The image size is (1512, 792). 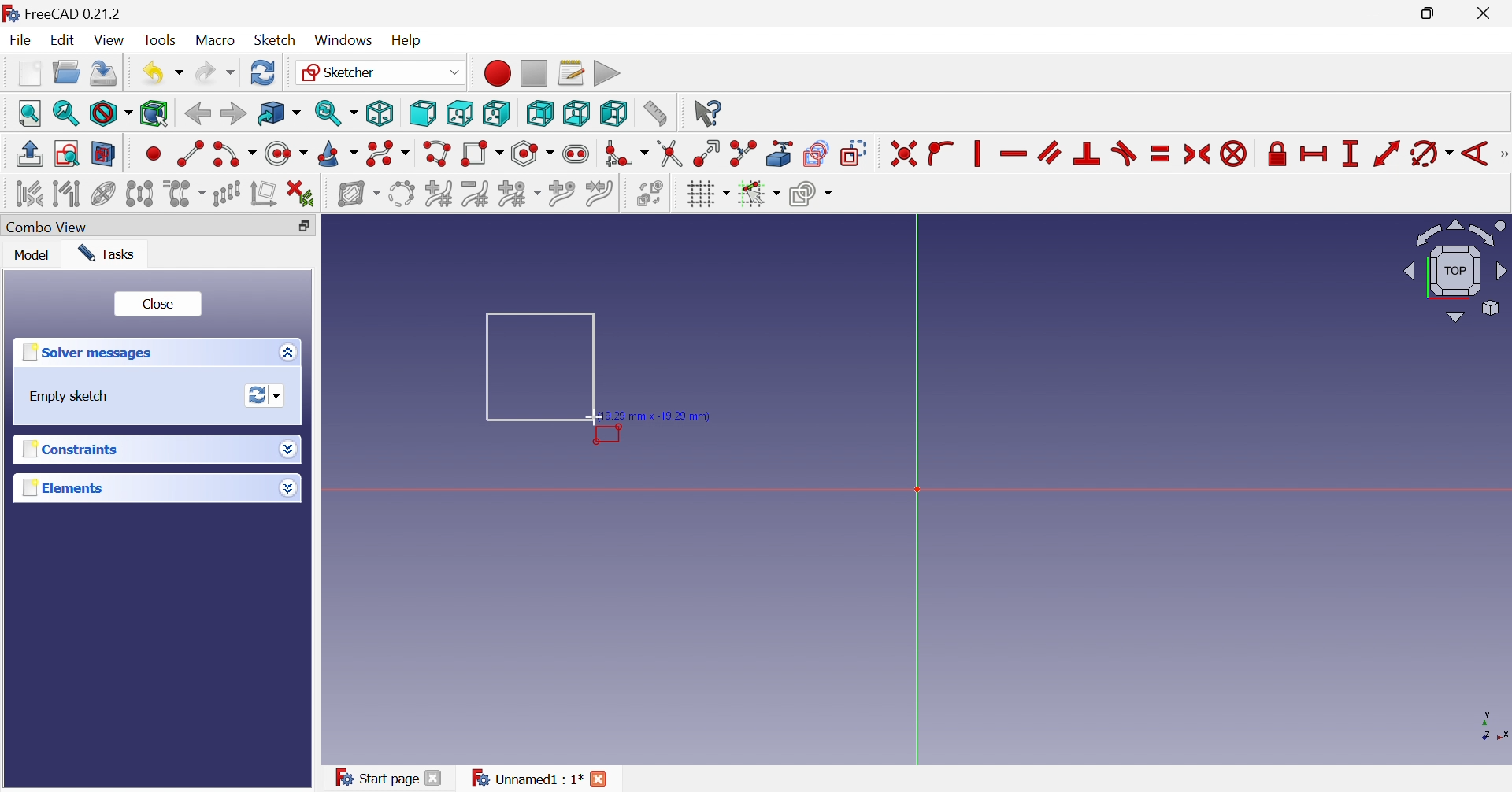 I want to click on Tools, so click(x=160, y=39).